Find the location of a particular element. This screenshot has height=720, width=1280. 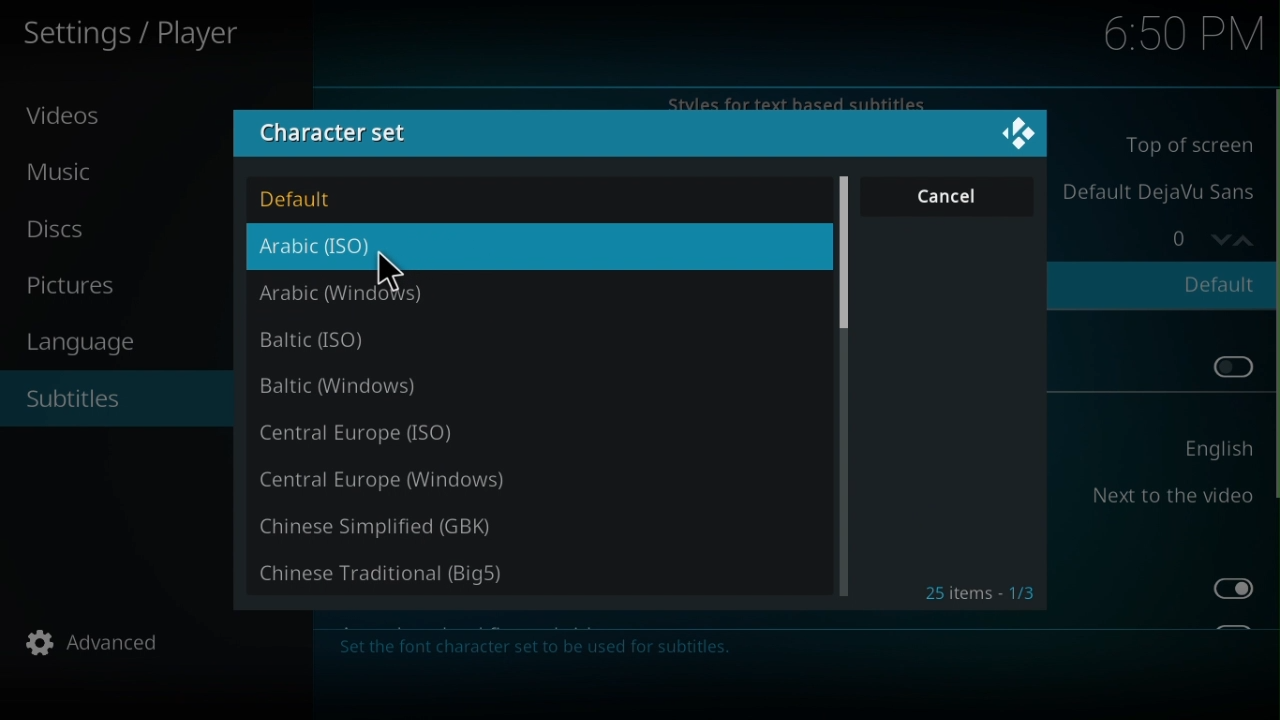

Subtilte is located at coordinates (75, 400).